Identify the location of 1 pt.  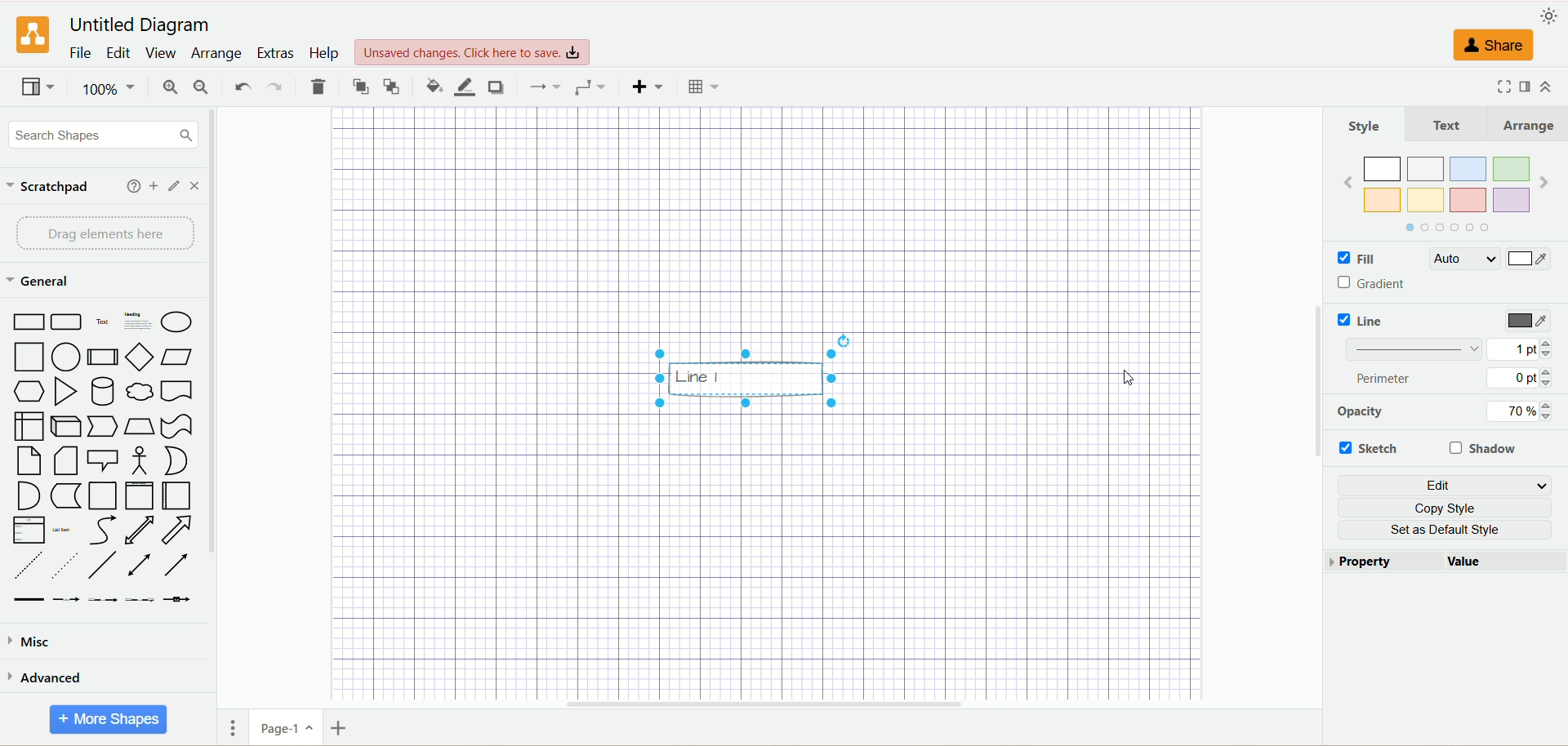
(1520, 349).